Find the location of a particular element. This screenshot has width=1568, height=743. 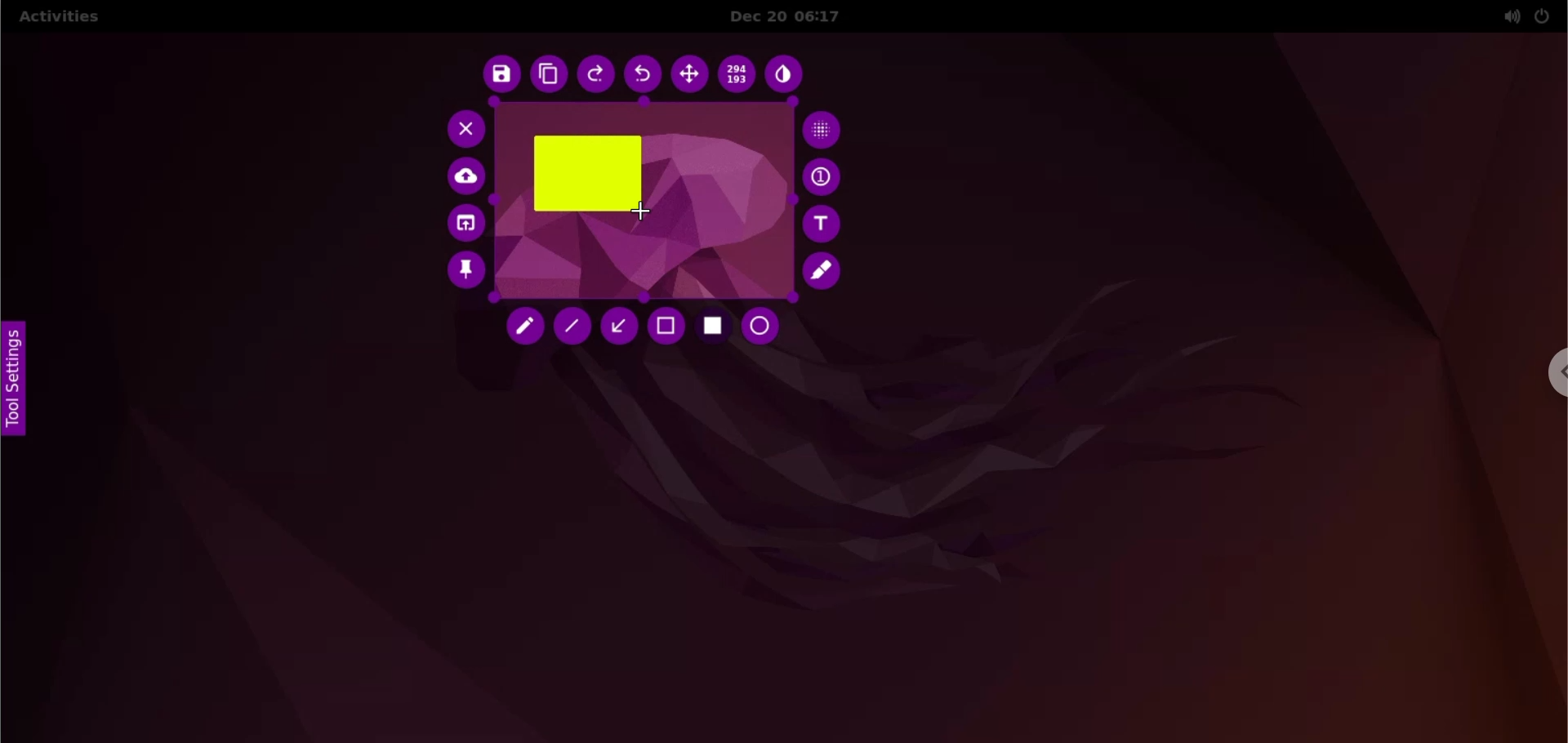

circle tool is located at coordinates (765, 327).